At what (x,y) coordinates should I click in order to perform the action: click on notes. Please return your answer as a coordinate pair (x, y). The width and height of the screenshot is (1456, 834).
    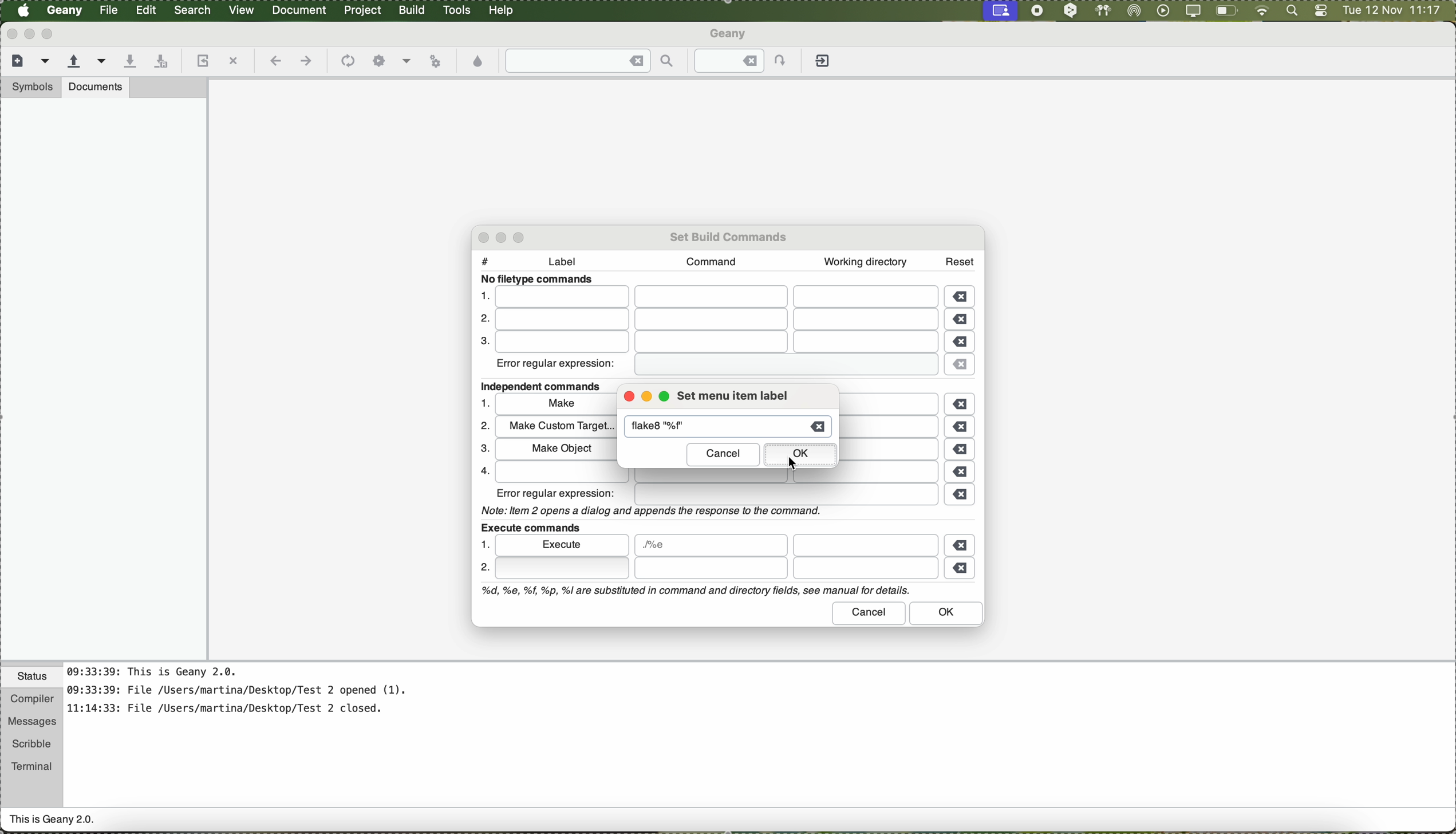
    Looking at the image, I should click on (251, 696).